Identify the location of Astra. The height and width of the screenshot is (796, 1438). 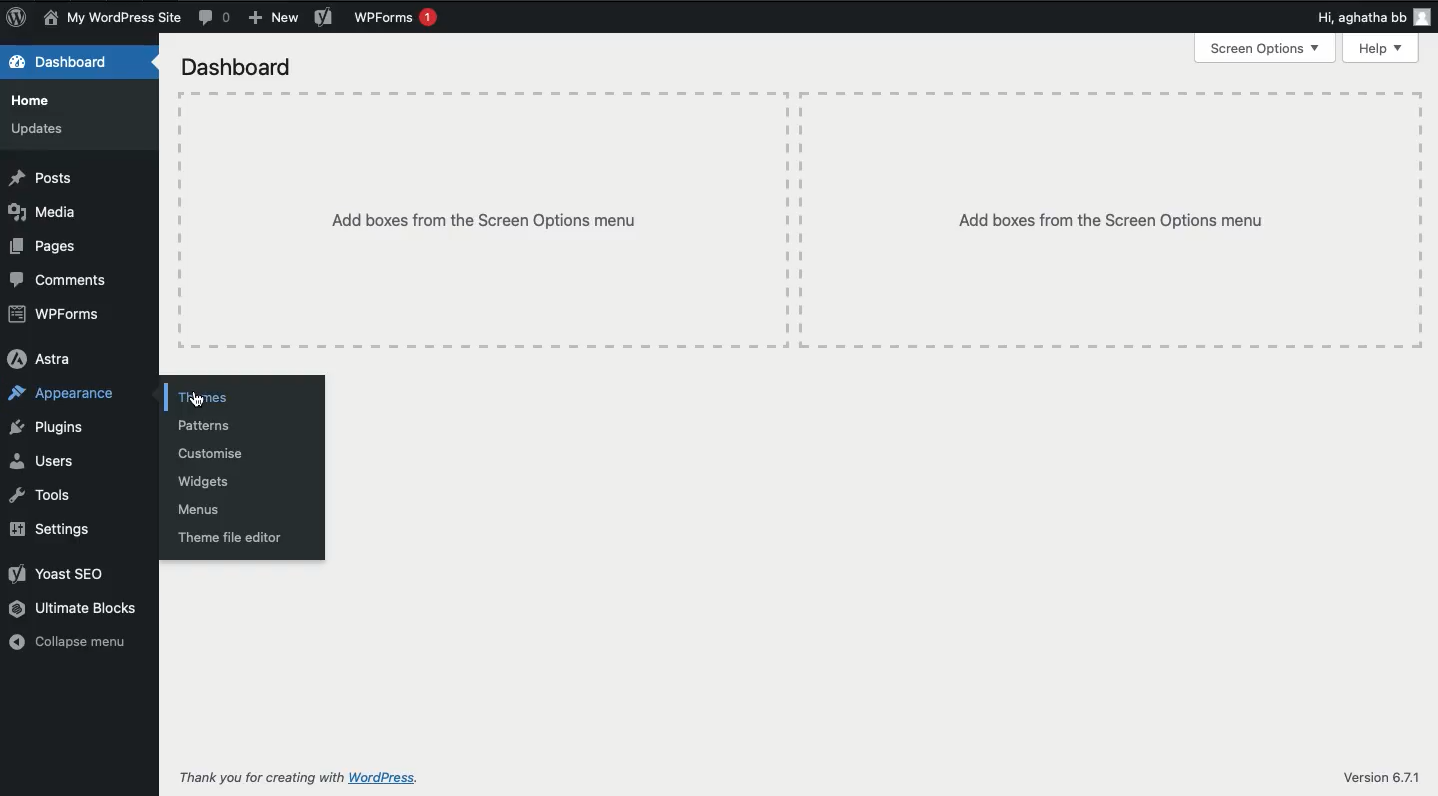
(44, 358).